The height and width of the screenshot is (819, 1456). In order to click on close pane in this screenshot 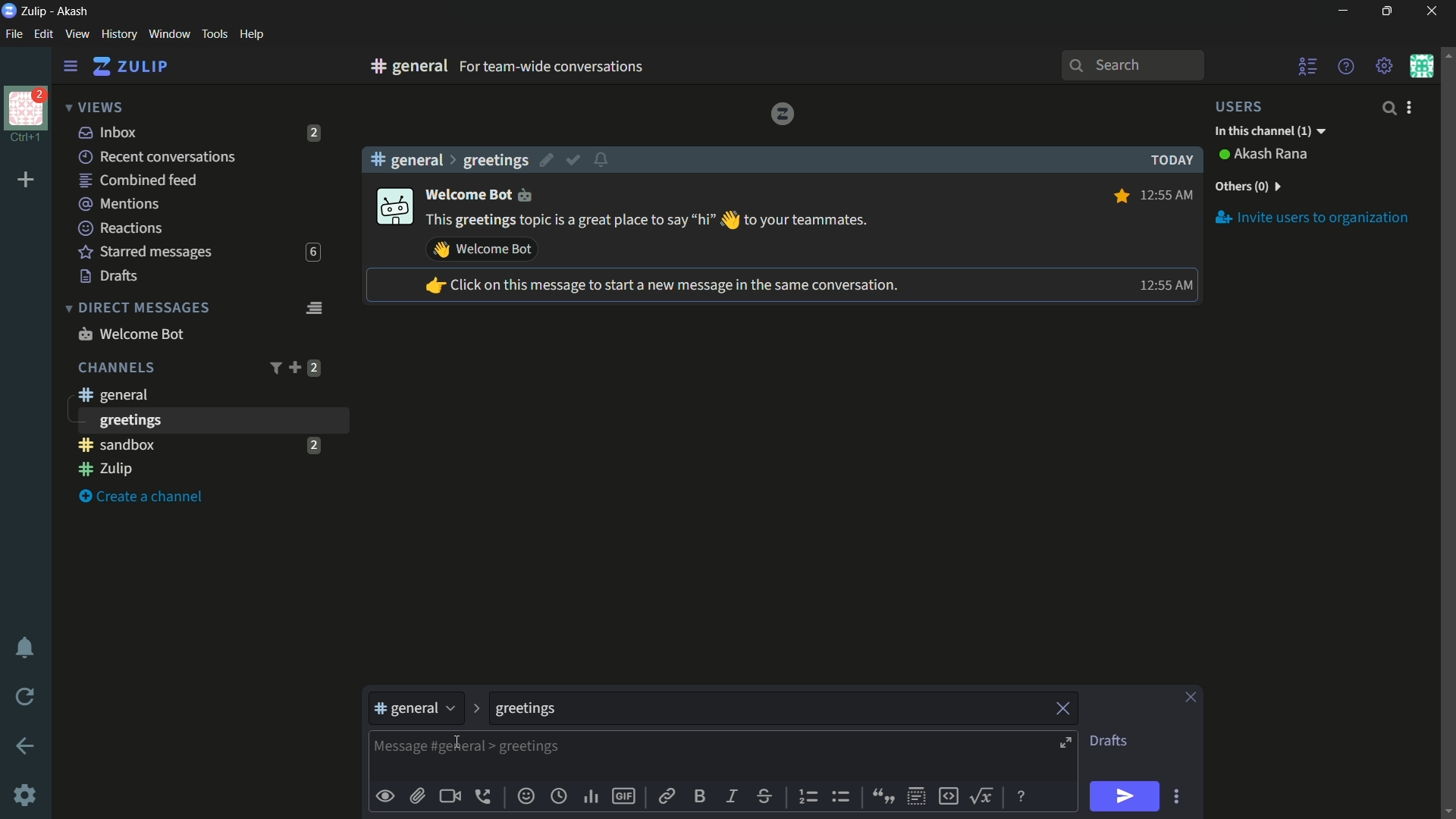, I will do `click(1191, 698)`.